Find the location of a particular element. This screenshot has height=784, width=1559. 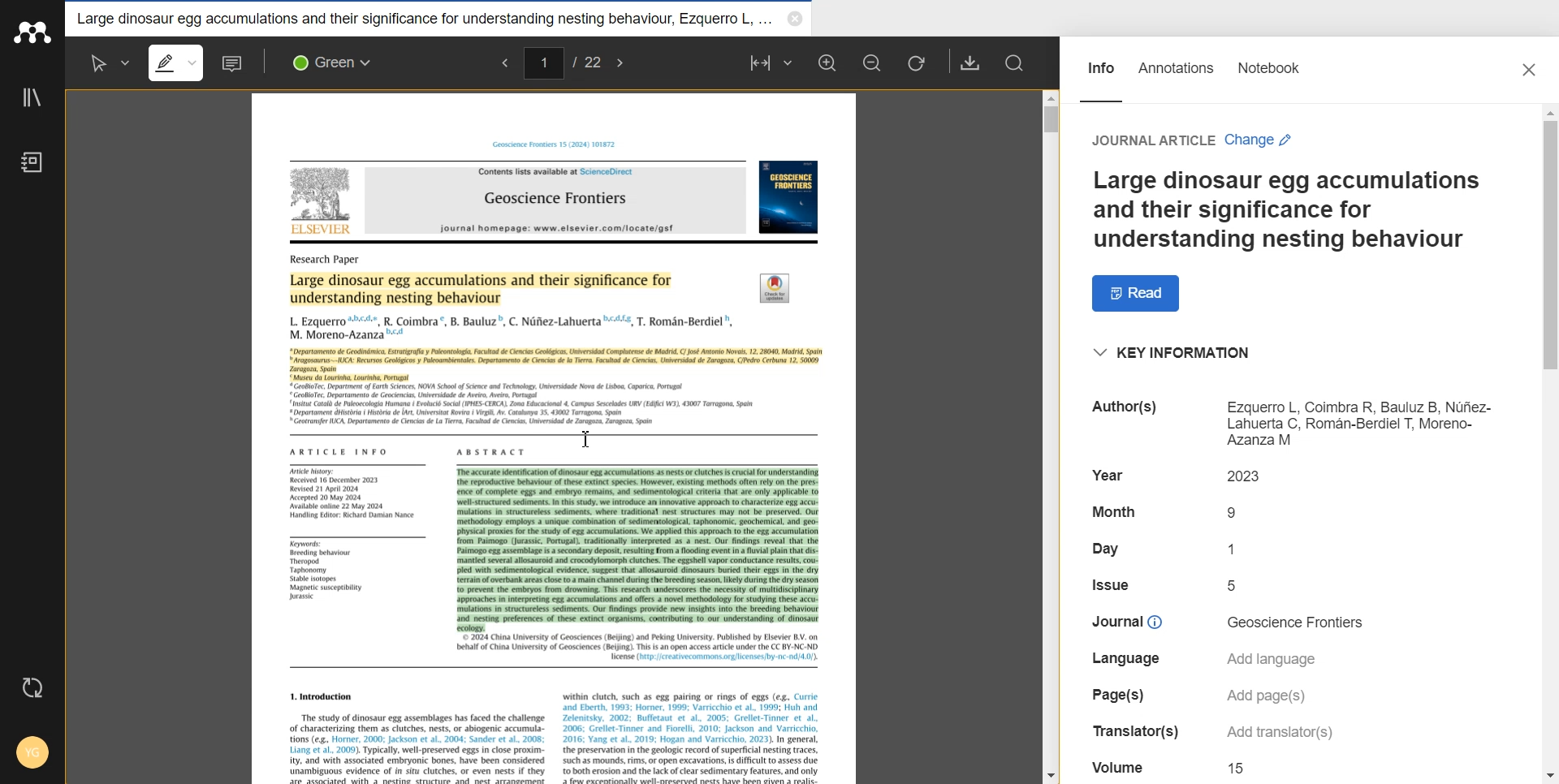

Filetext is located at coordinates (1120, 765).